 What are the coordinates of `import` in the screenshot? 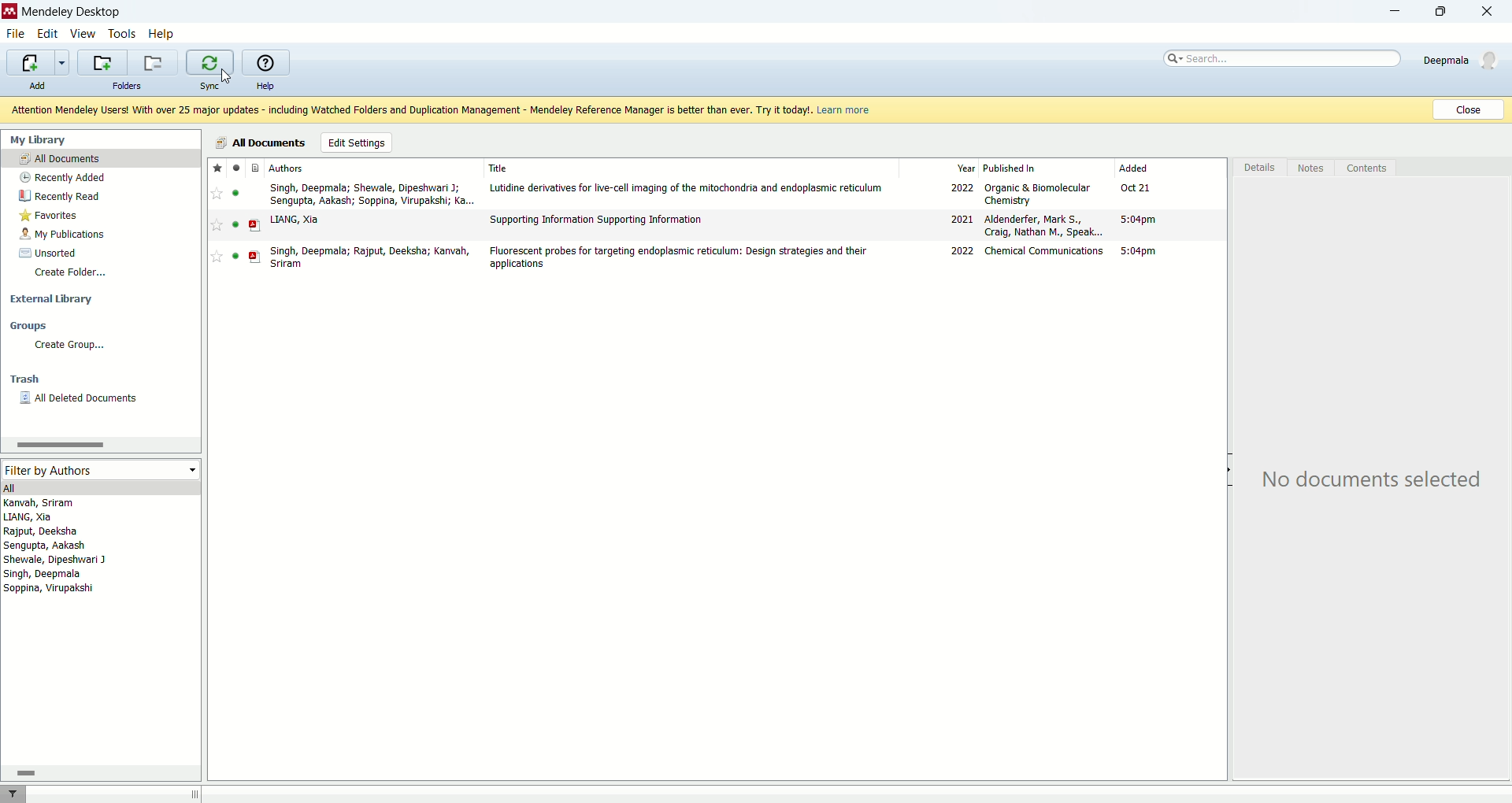 It's located at (35, 61).